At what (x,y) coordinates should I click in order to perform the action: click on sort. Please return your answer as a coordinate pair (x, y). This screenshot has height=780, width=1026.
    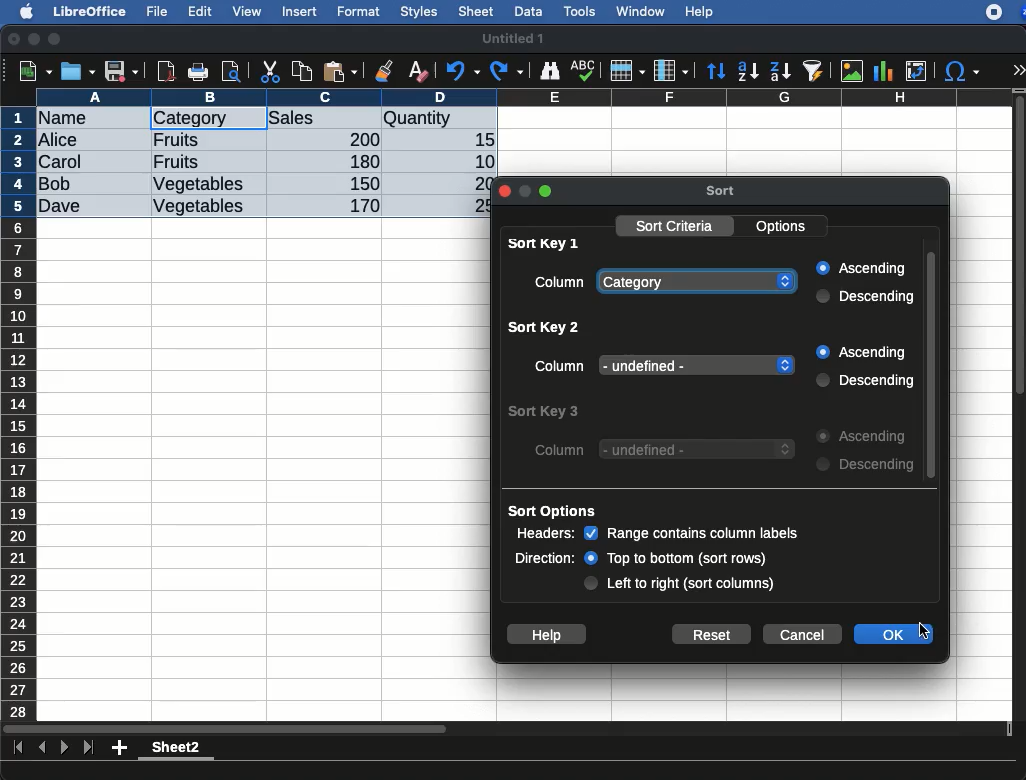
    Looking at the image, I should click on (723, 190).